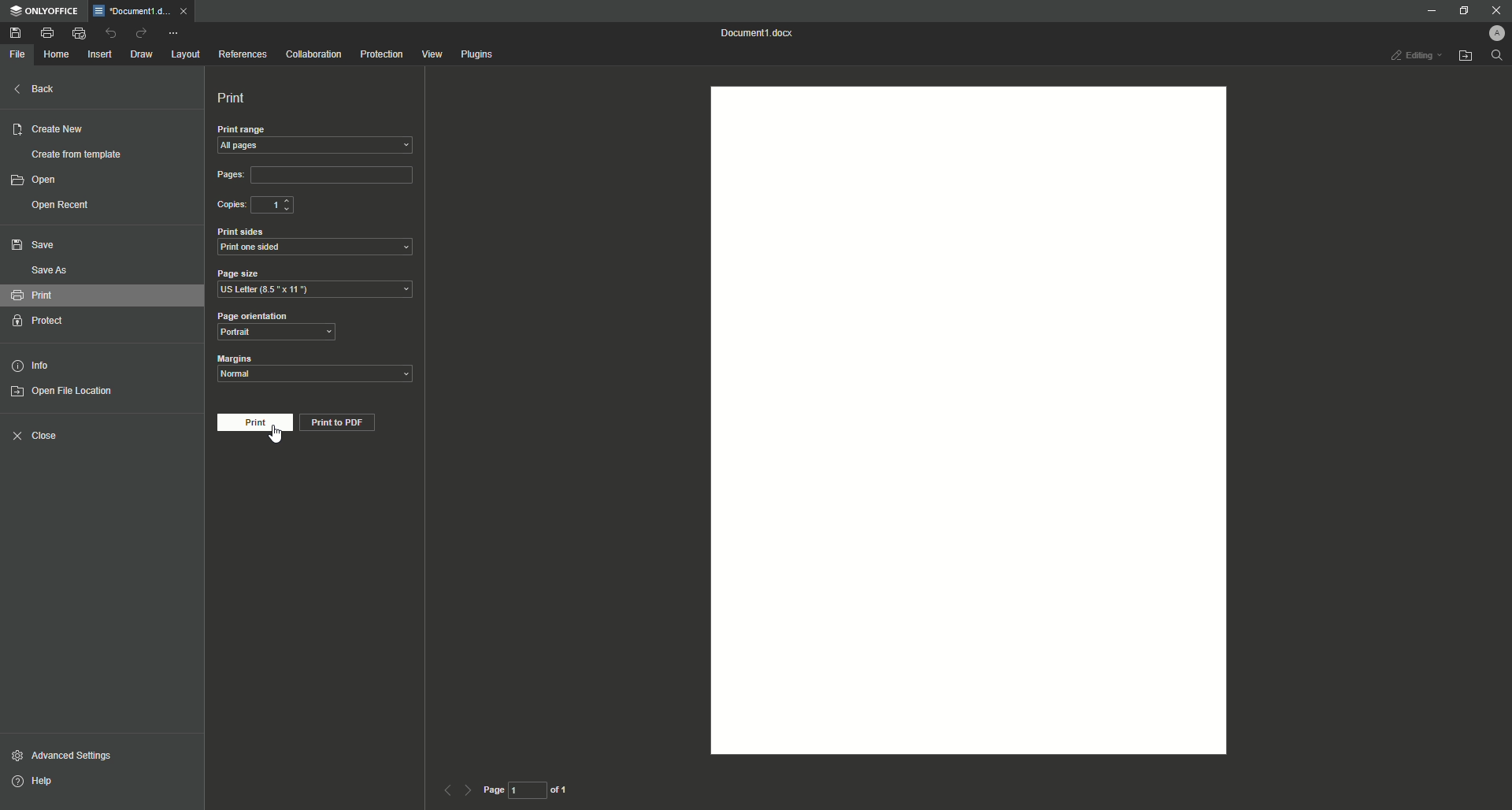  Describe the element at coordinates (431, 54) in the screenshot. I see `View` at that location.